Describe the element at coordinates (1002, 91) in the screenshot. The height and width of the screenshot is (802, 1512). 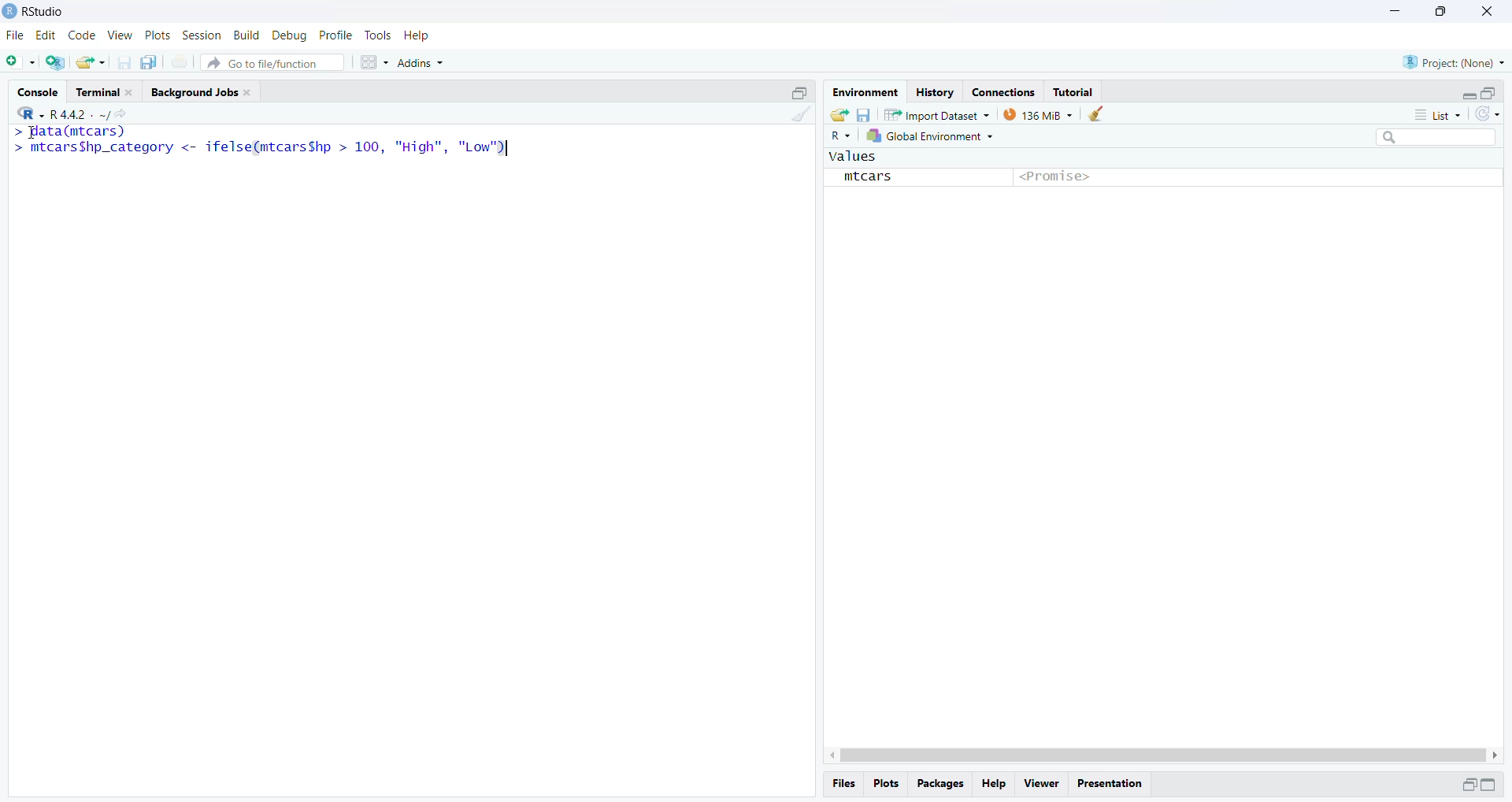
I see `Connections` at that location.